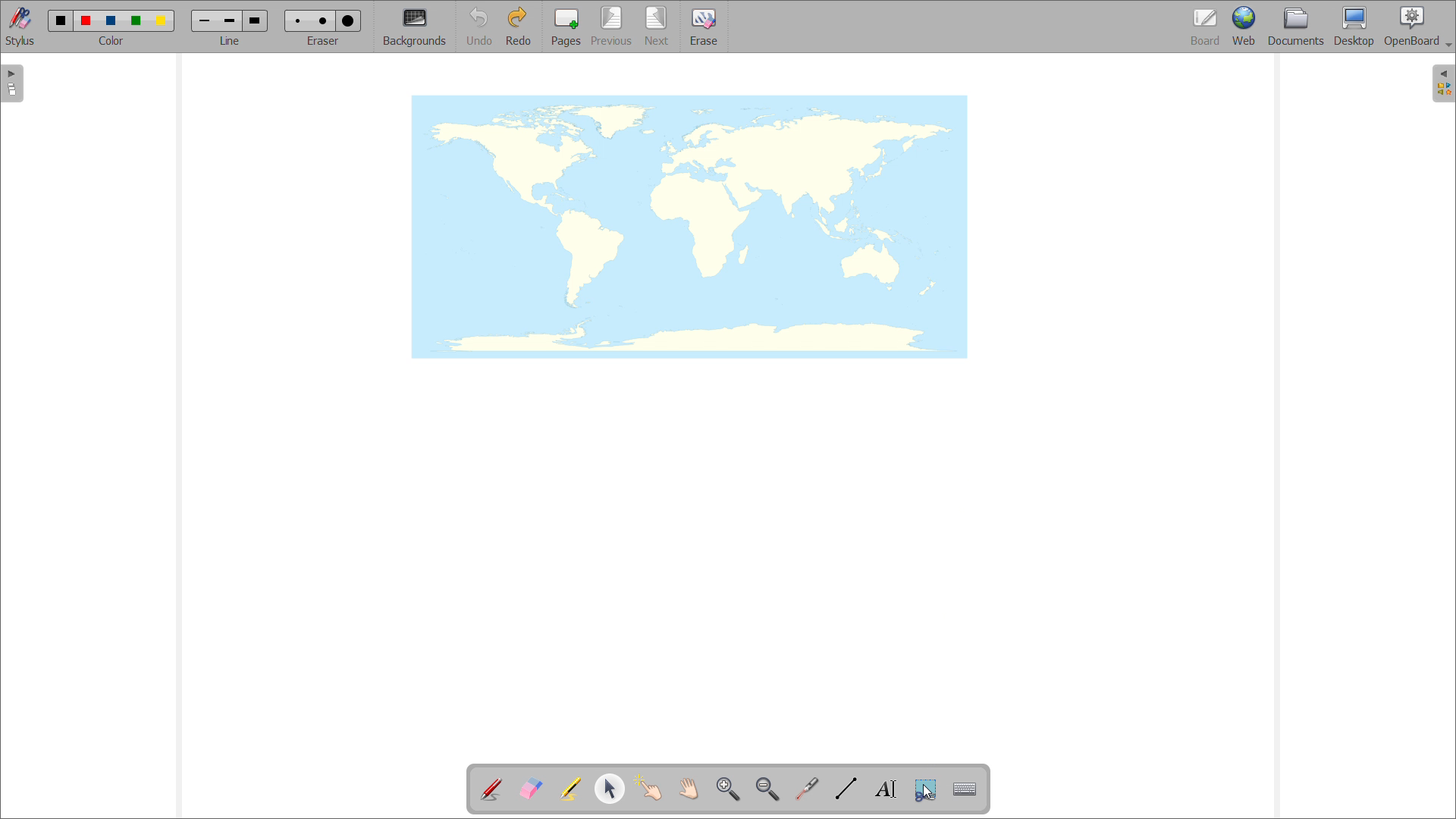 The height and width of the screenshot is (819, 1456). I want to click on documents, so click(1297, 26).